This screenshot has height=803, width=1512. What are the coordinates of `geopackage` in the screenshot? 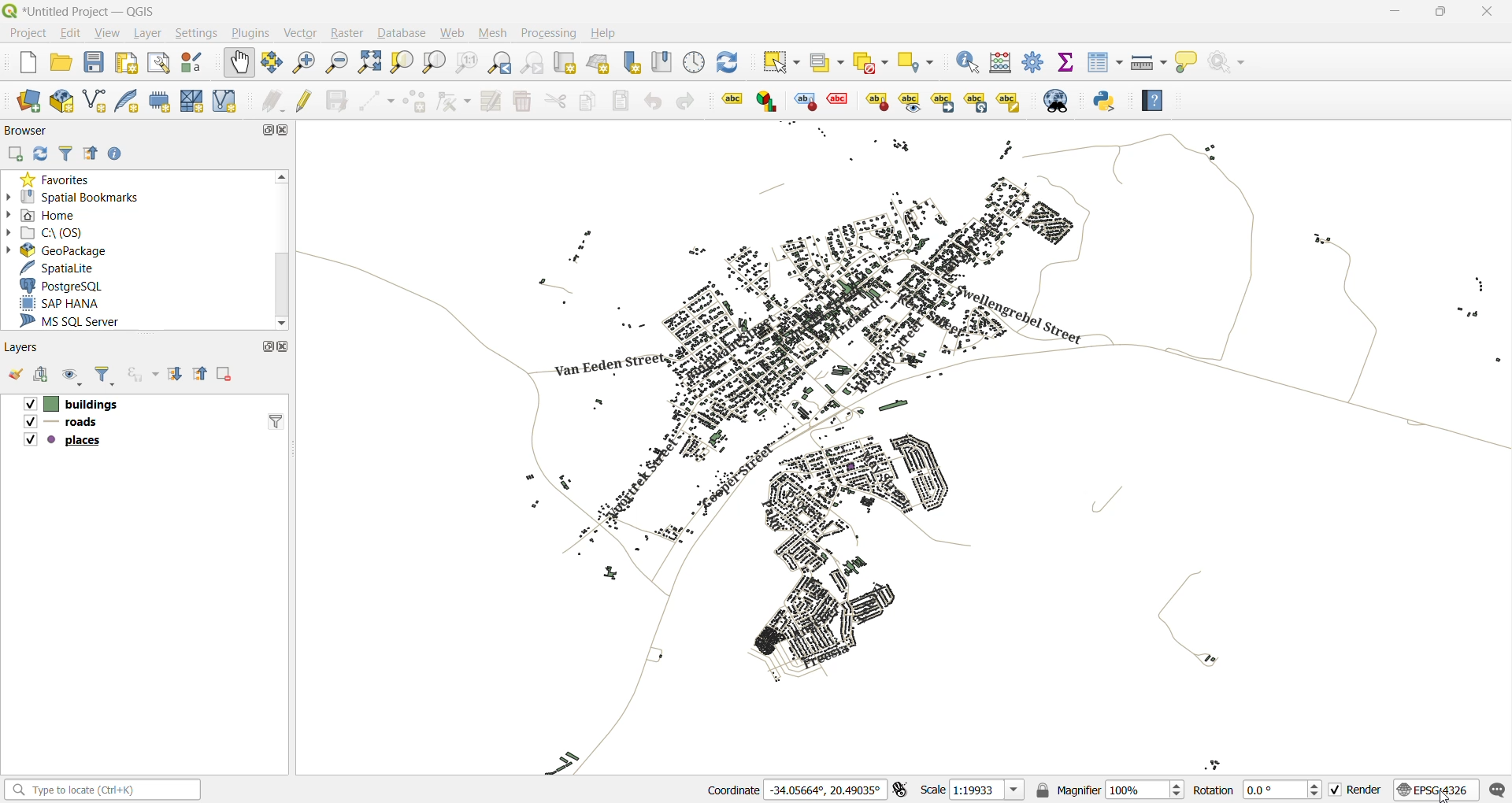 It's located at (58, 249).